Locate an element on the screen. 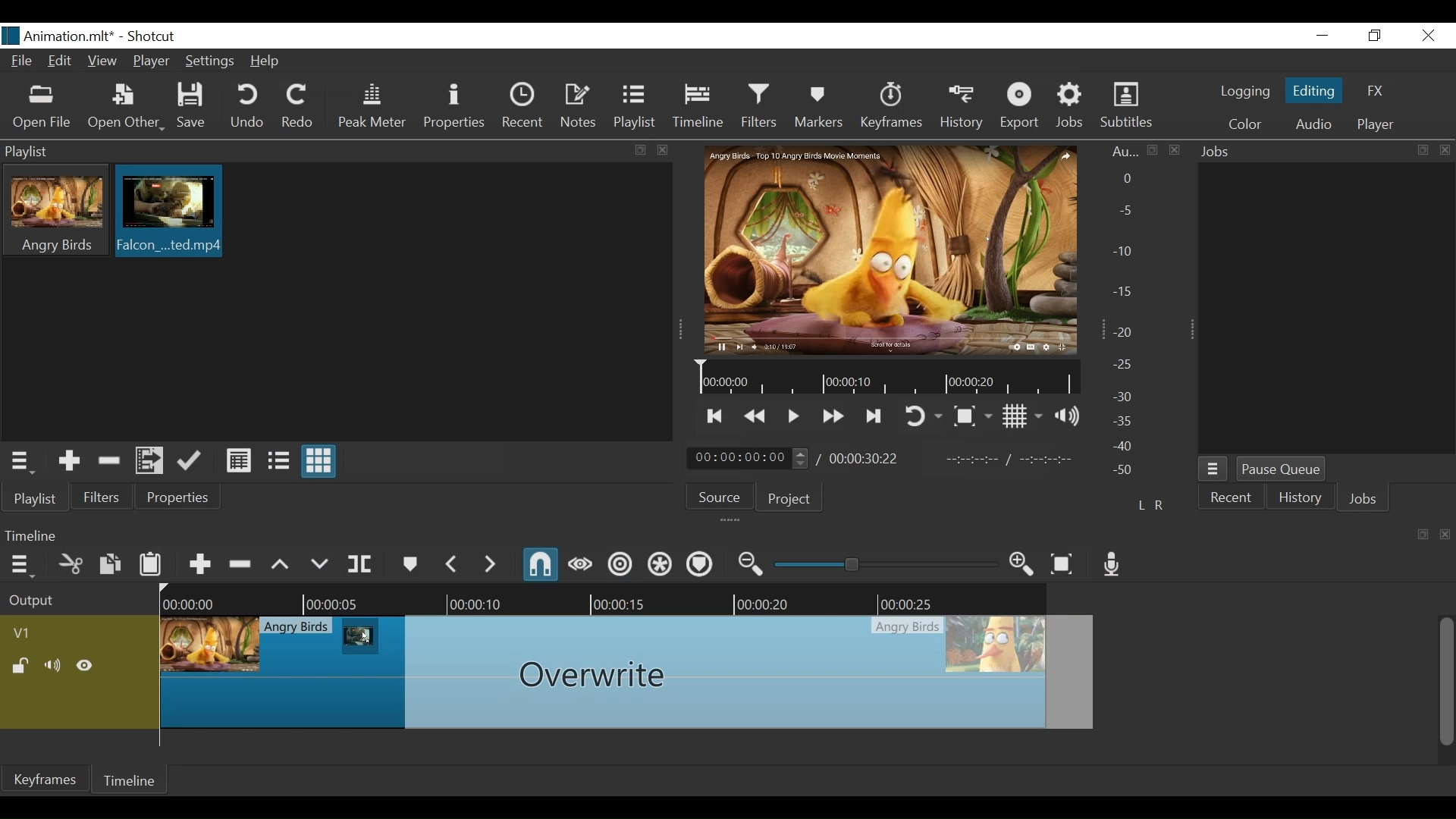 The image size is (1456, 819). Project is located at coordinates (789, 500).